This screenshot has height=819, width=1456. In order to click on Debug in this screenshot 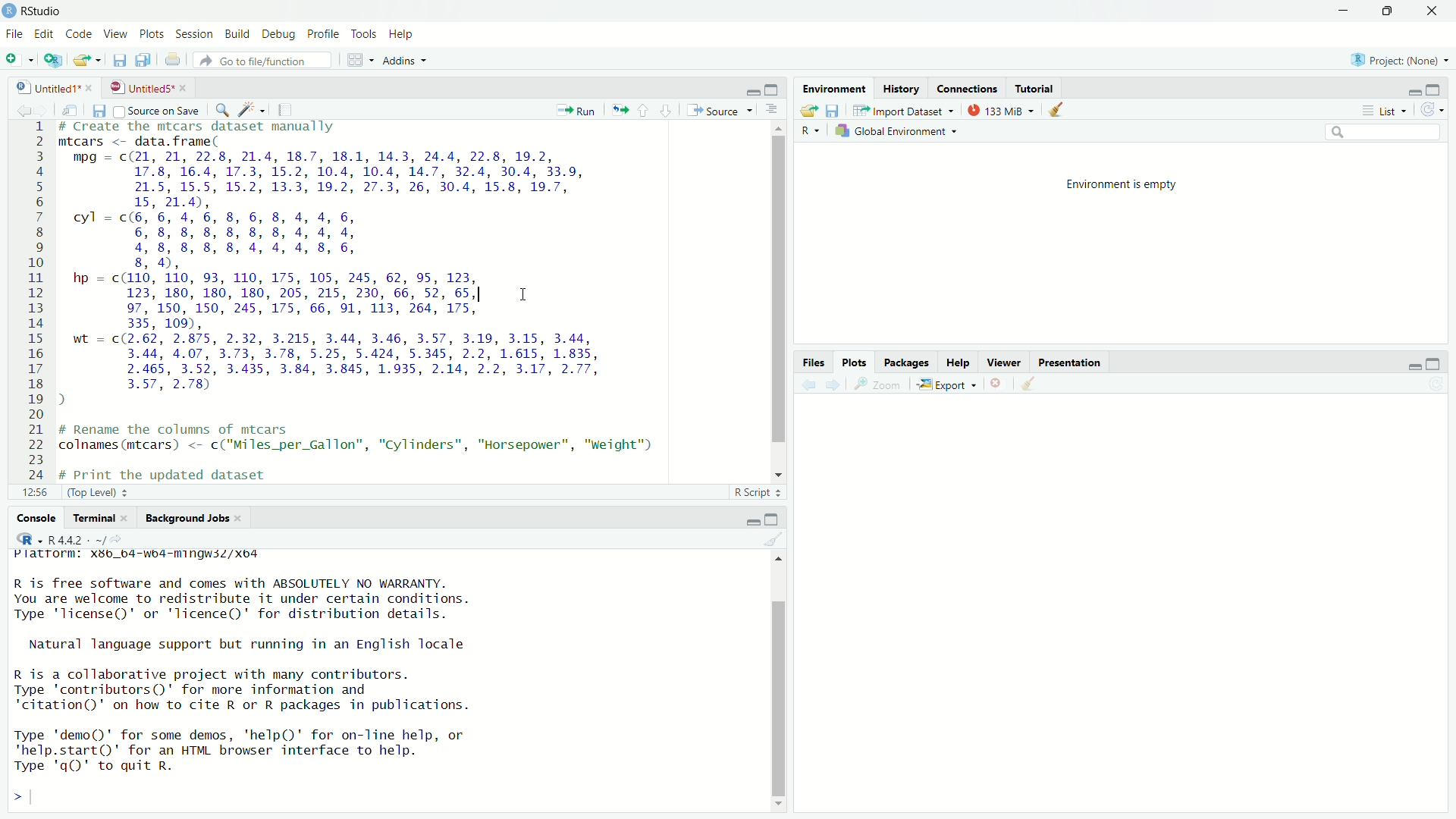, I will do `click(279, 35)`.